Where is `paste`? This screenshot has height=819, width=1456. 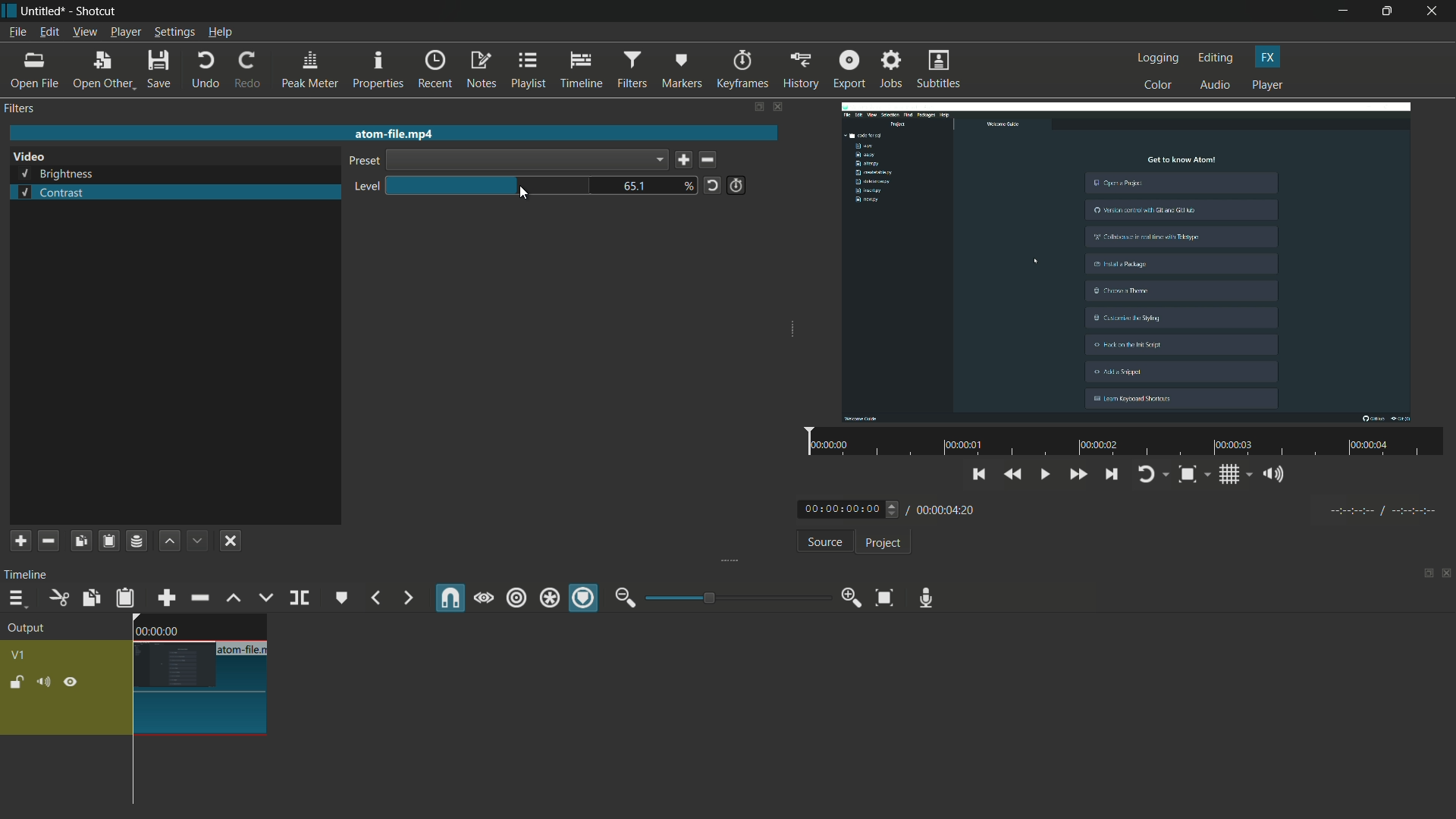 paste is located at coordinates (125, 598).